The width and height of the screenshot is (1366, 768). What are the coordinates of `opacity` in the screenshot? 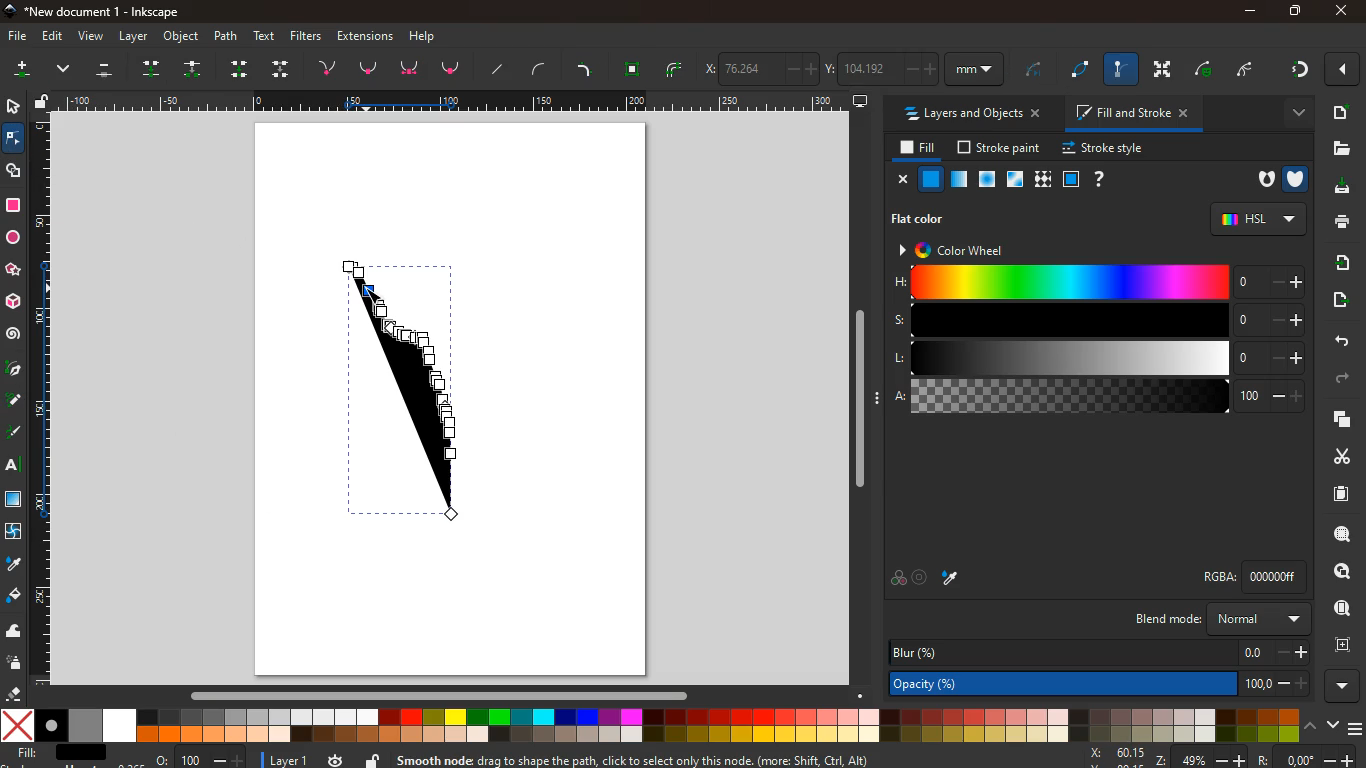 It's located at (960, 180).